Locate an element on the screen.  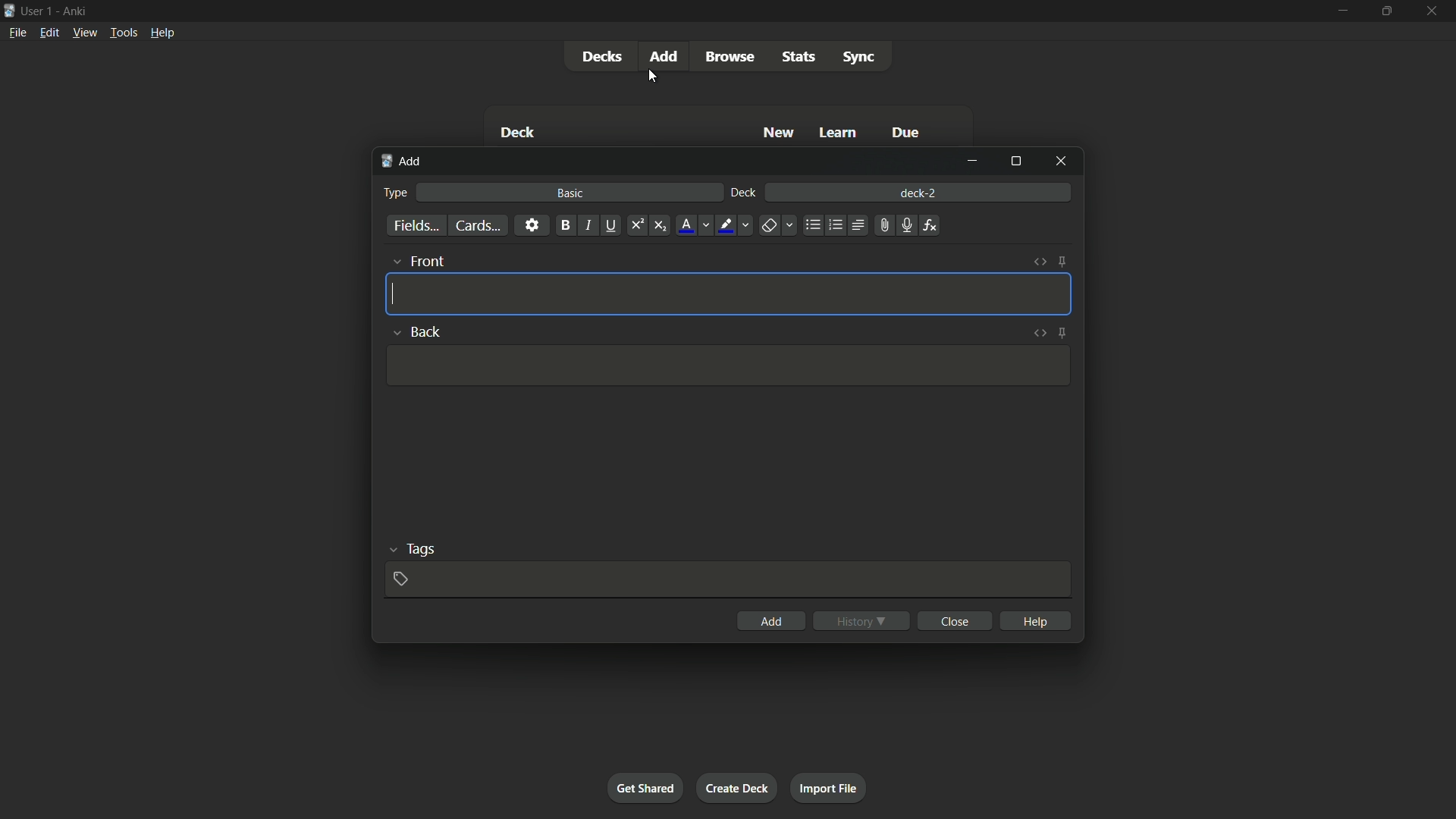
import file is located at coordinates (830, 789).